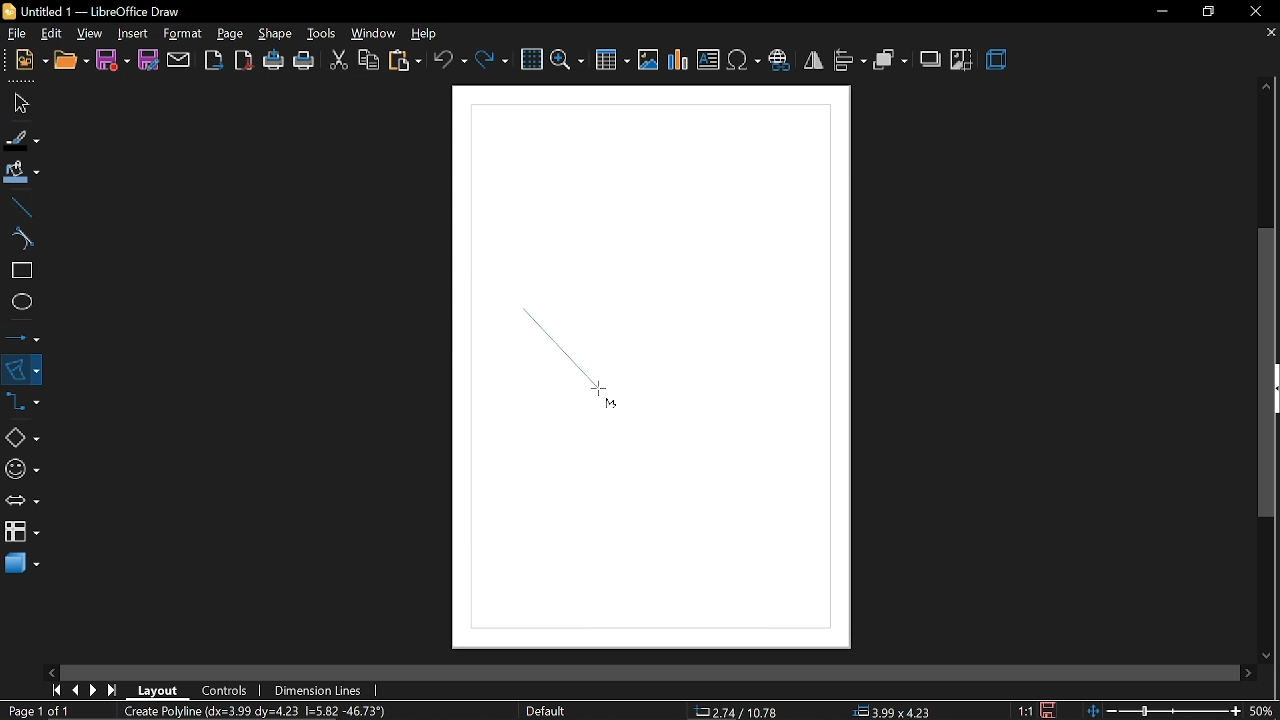 The height and width of the screenshot is (720, 1280). I want to click on ellipse, so click(18, 304).